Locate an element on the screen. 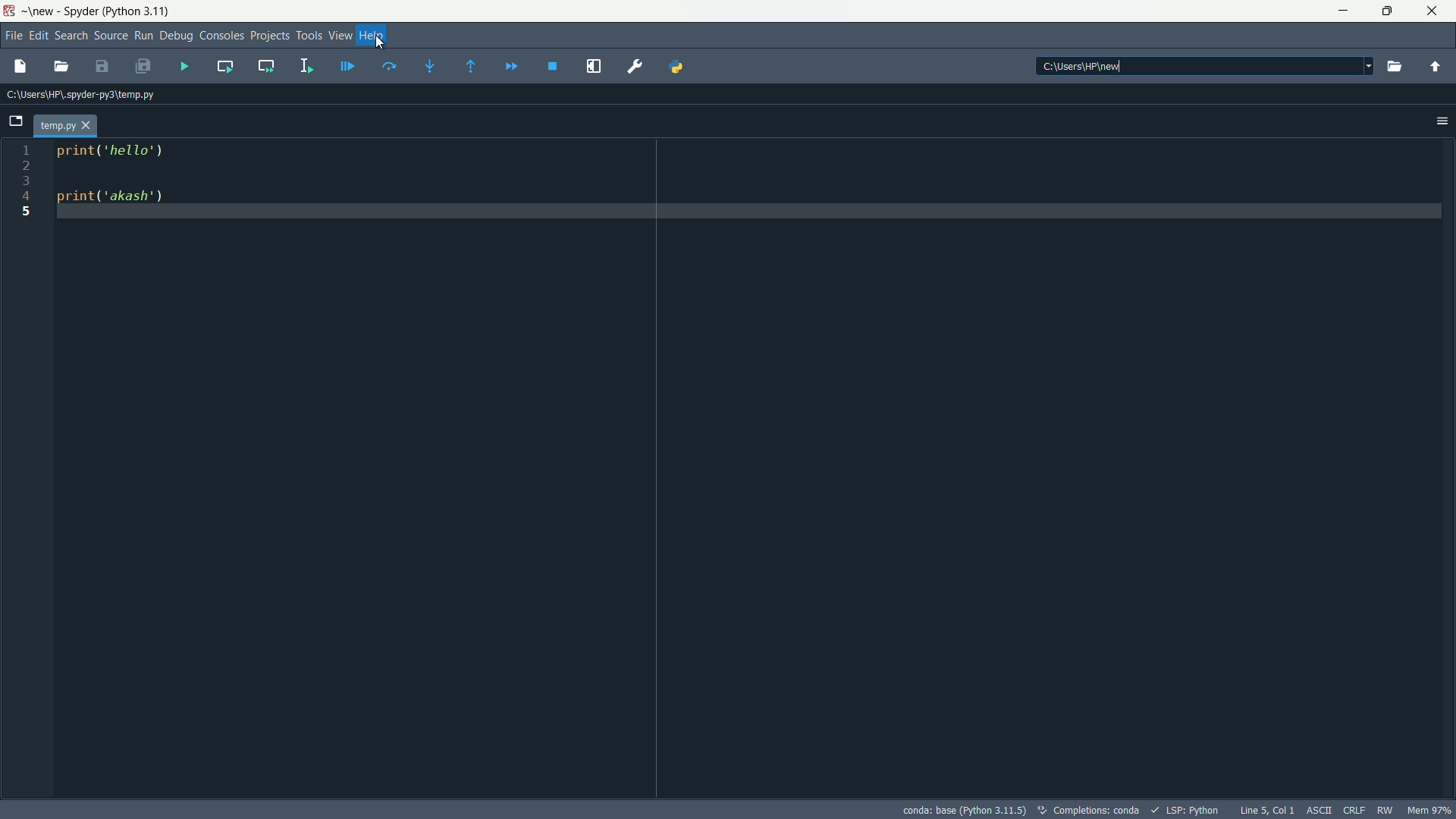  run current cell is located at coordinates (224, 65).